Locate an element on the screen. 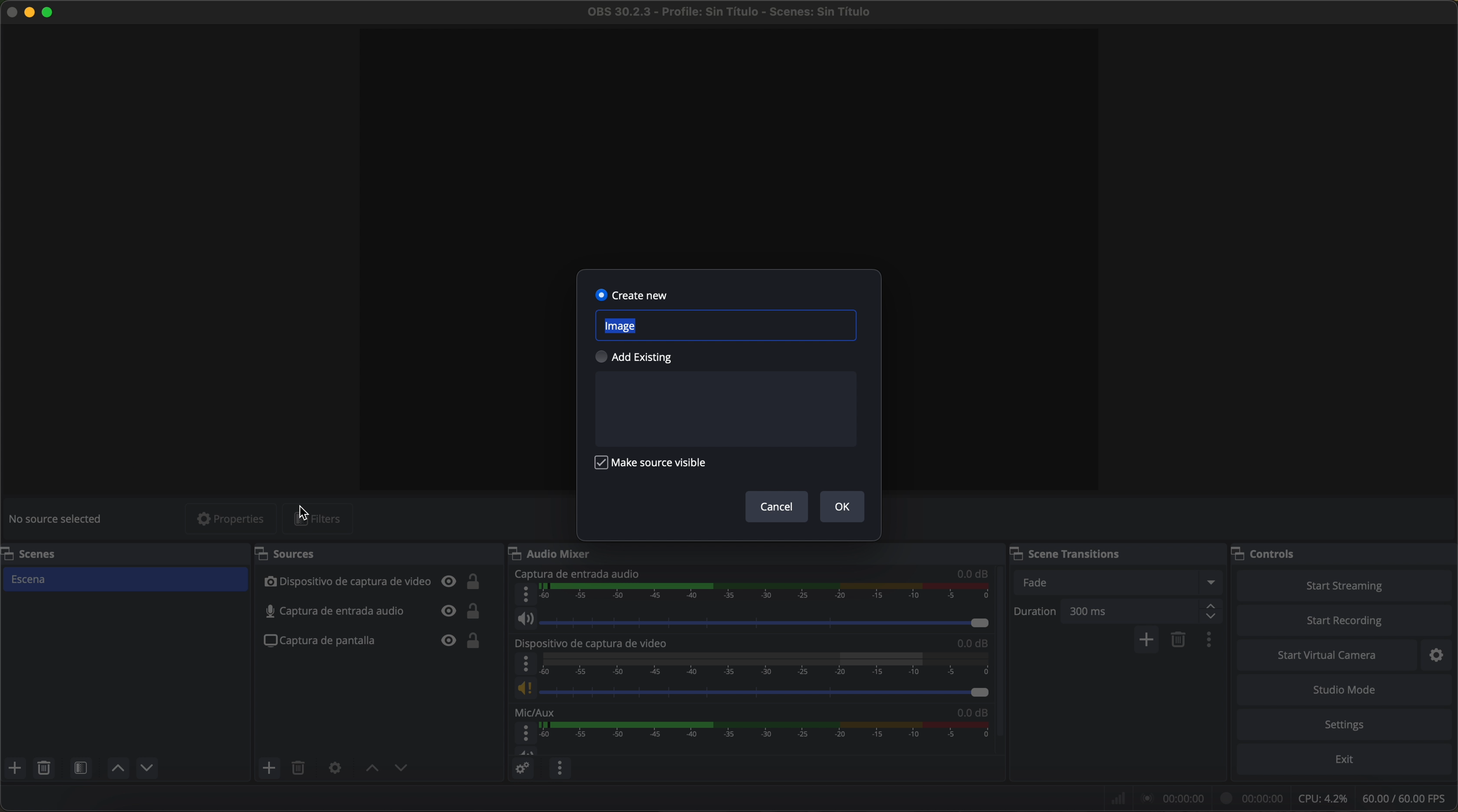  more options is located at coordinates (526, 664).